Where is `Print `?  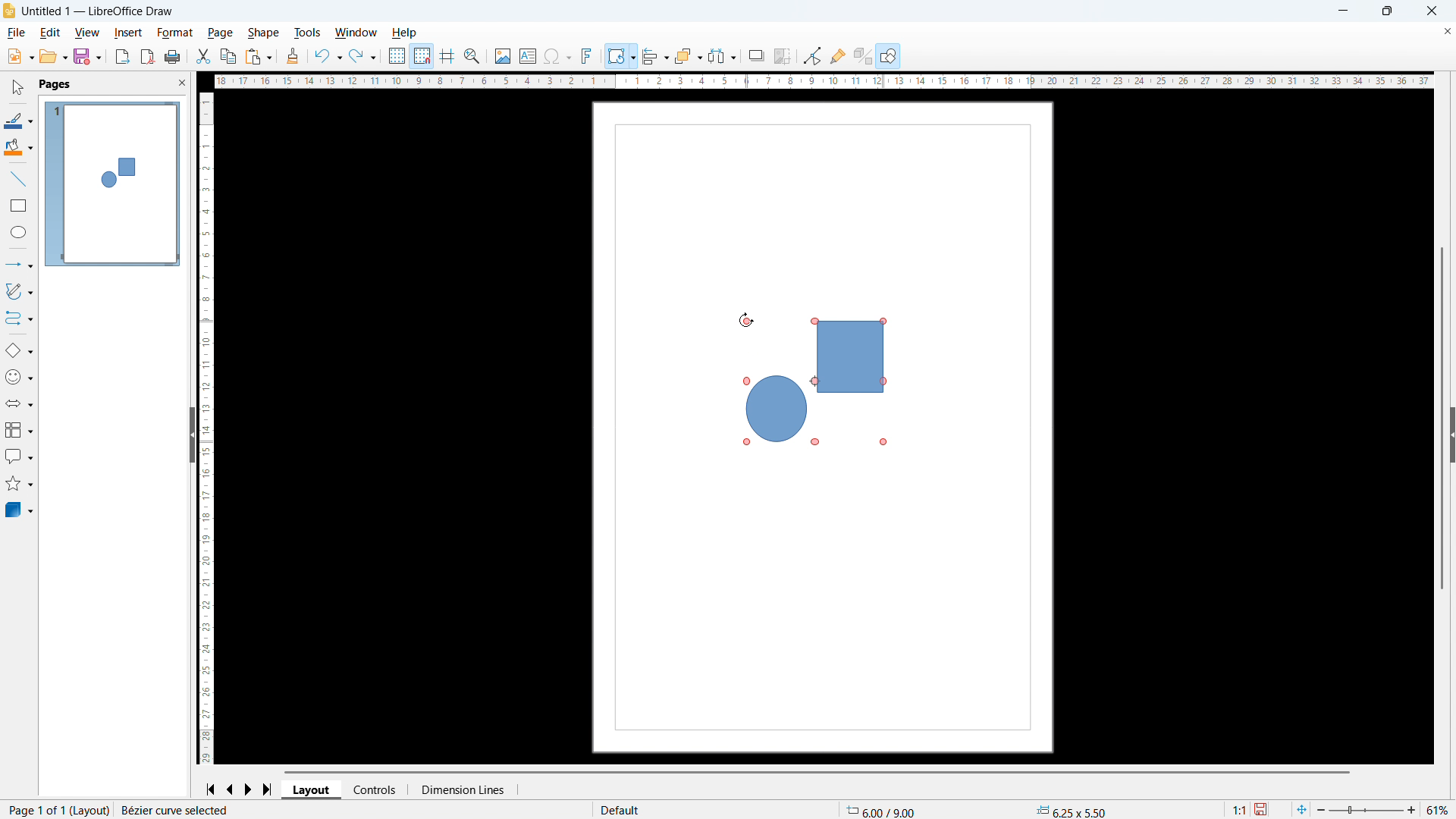 Print  is located at coordinates (173, 56).